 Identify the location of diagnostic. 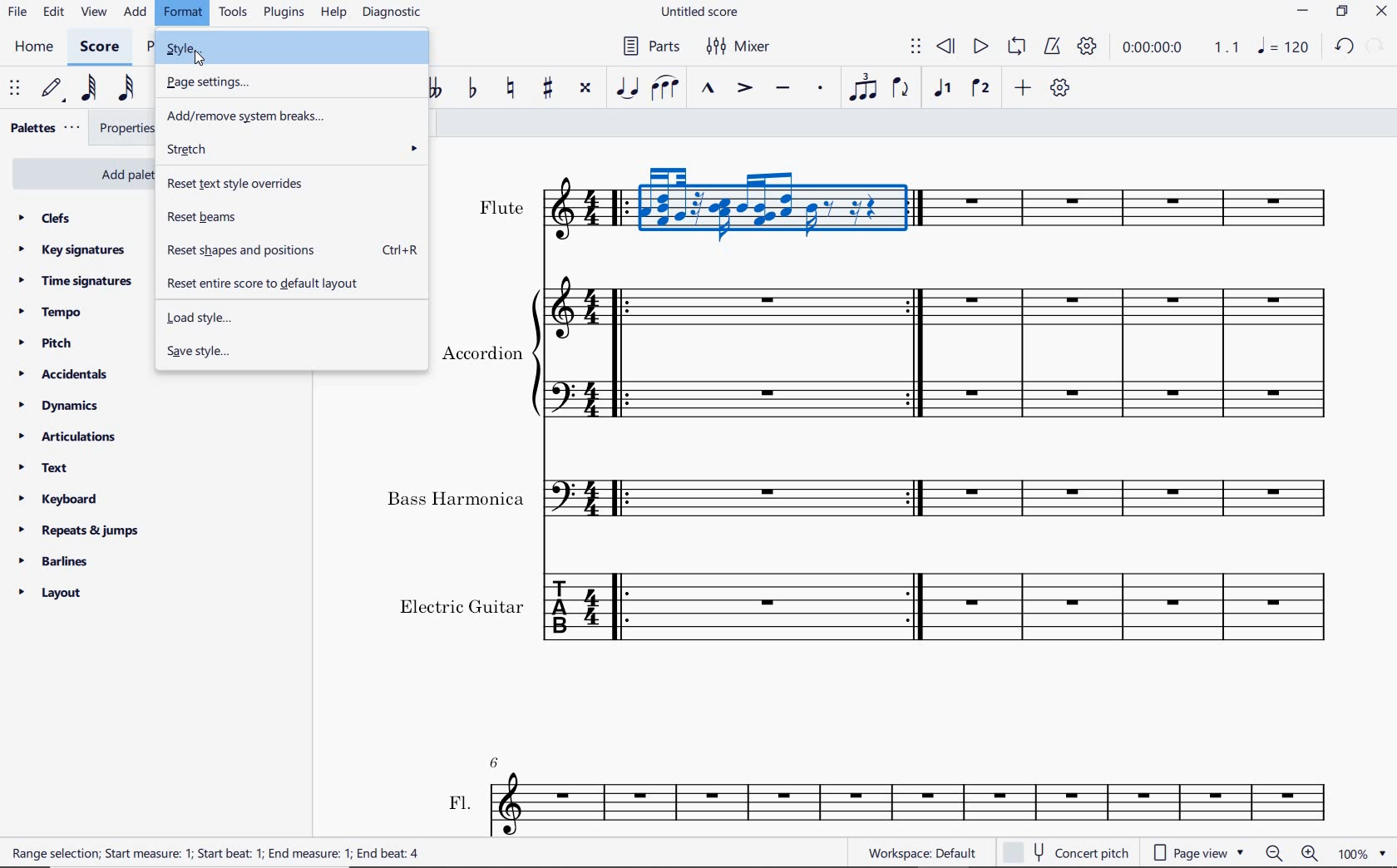
(392, 13).